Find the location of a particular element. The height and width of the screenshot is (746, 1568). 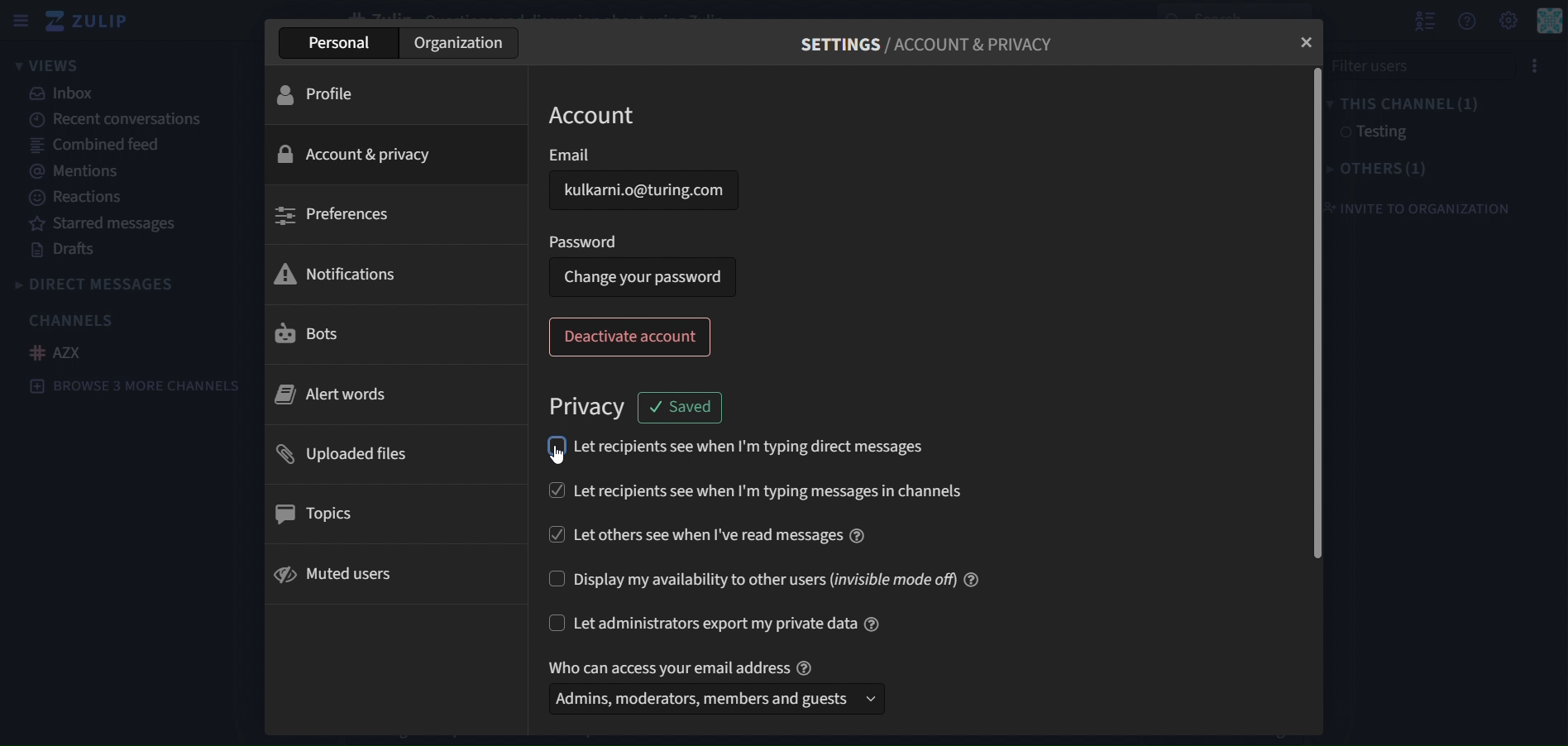

who can access your email address is located at coordinates (709, 666).